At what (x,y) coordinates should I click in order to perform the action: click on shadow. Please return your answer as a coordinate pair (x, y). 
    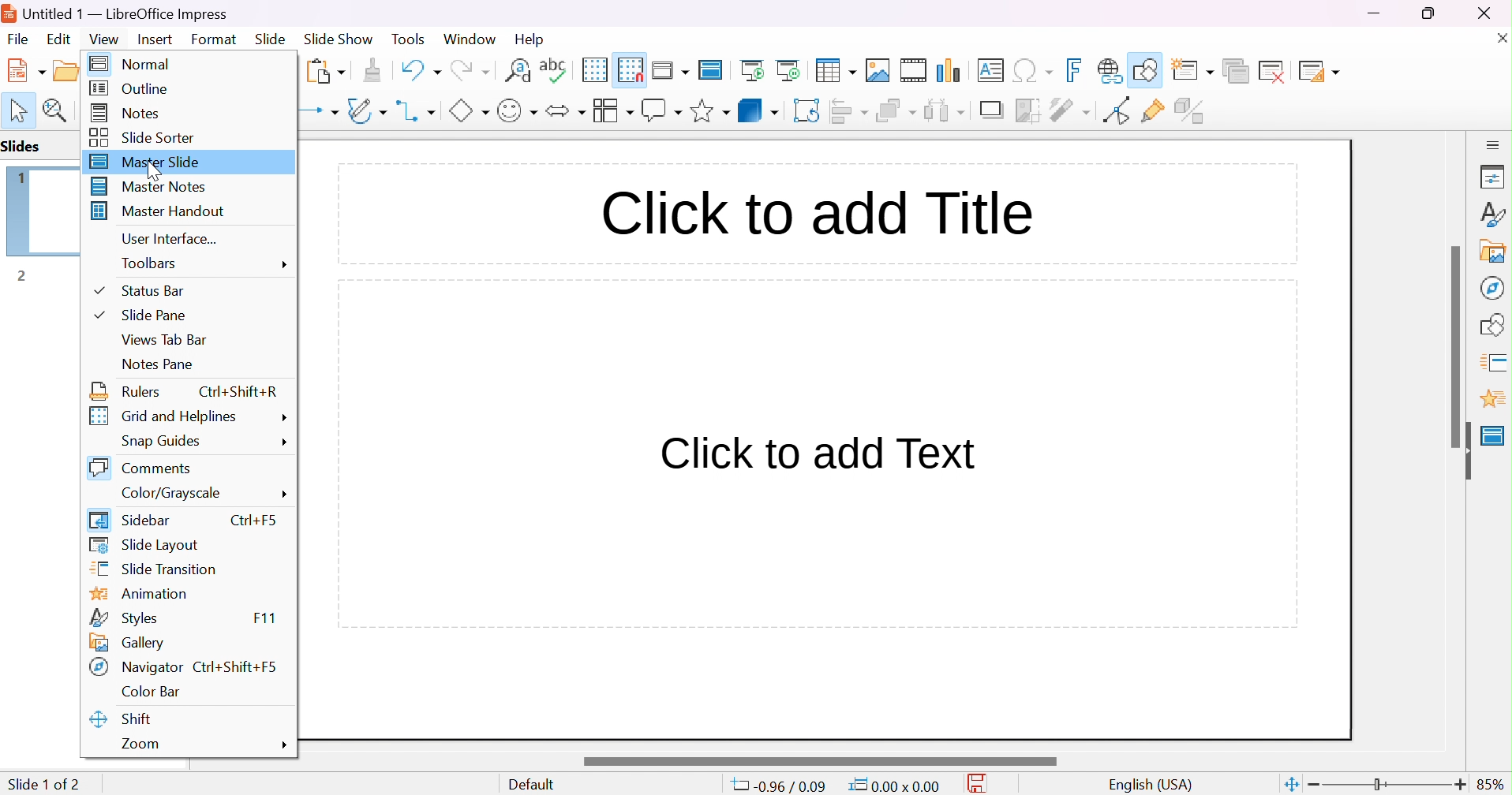
    Looking at the image, I should click on (994, 111).